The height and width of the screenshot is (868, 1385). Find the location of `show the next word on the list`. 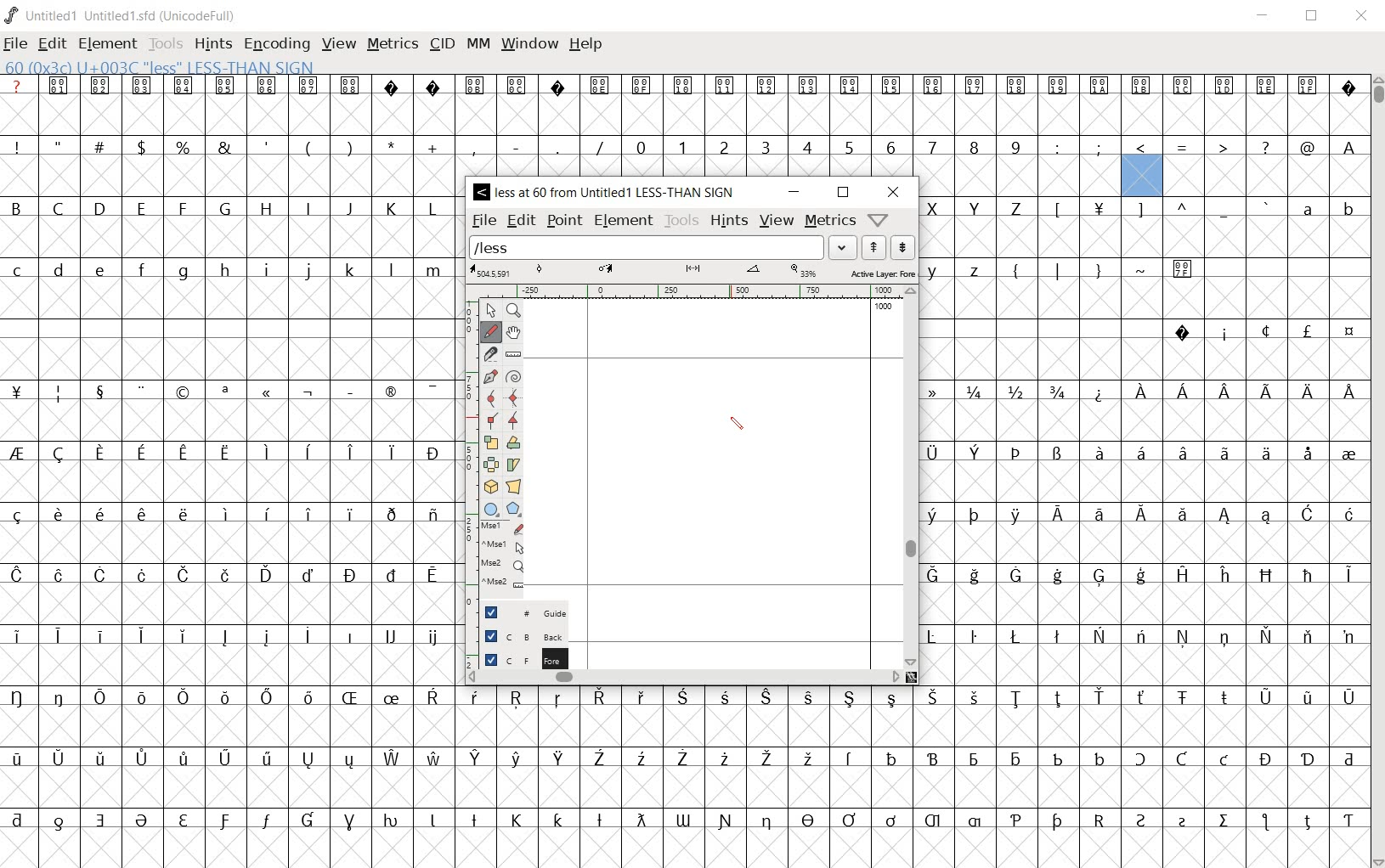

show the next word on the list is located at coordinates (877, 247).